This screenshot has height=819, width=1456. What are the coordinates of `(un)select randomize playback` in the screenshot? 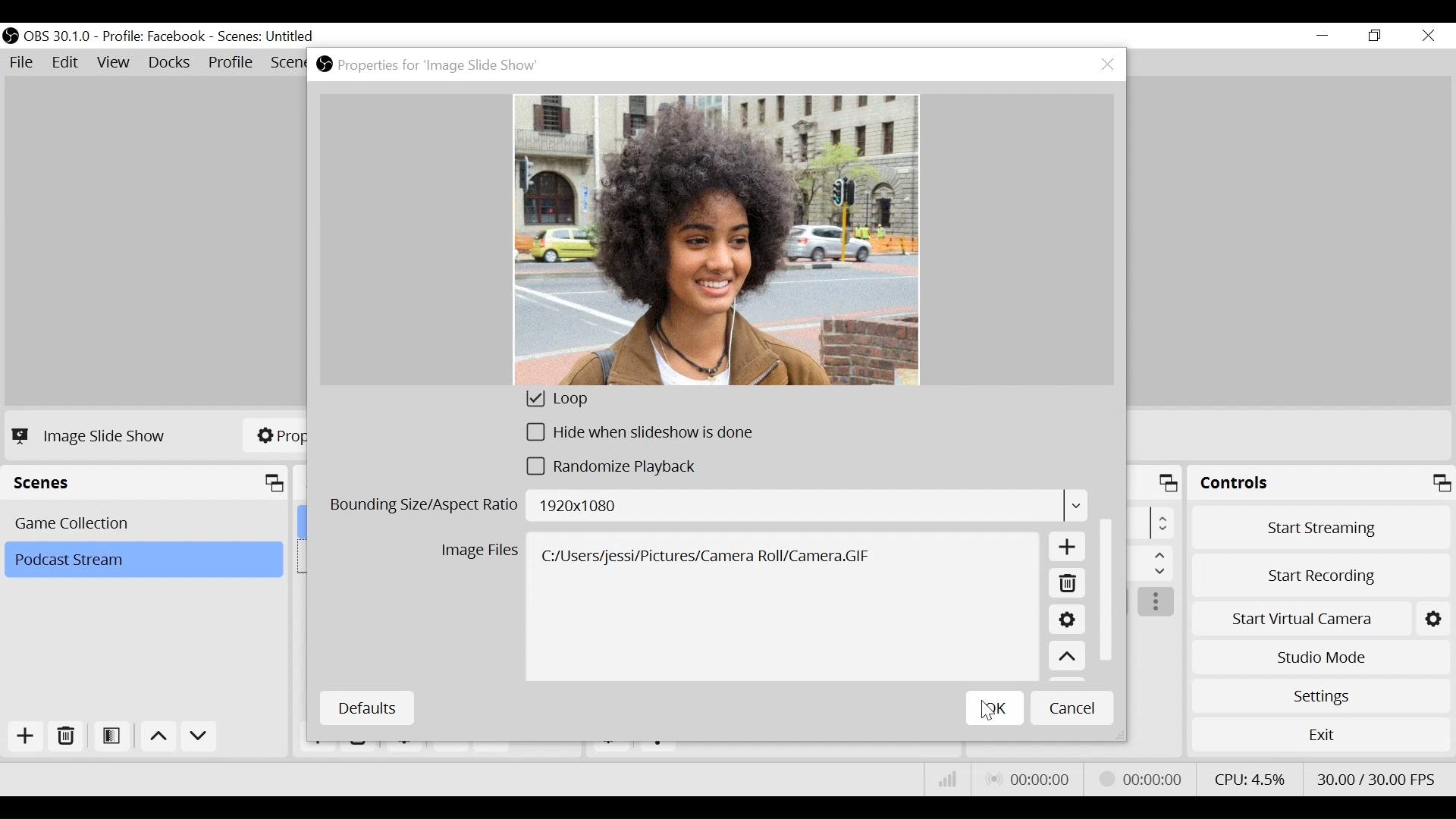 It's located at (620, 470).